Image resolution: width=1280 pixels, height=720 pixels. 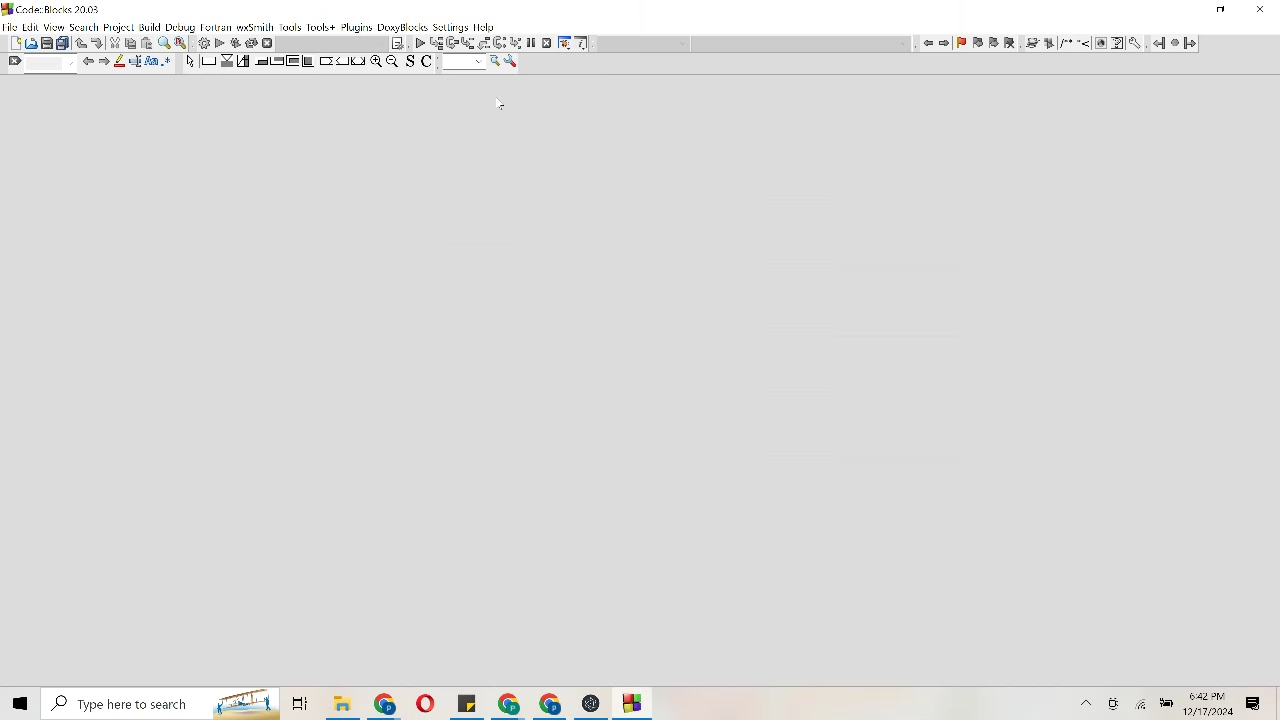 What do you see at coordinates (182, 43) in the screenshot?
I see `Replace` at bounding box center [182, 43].